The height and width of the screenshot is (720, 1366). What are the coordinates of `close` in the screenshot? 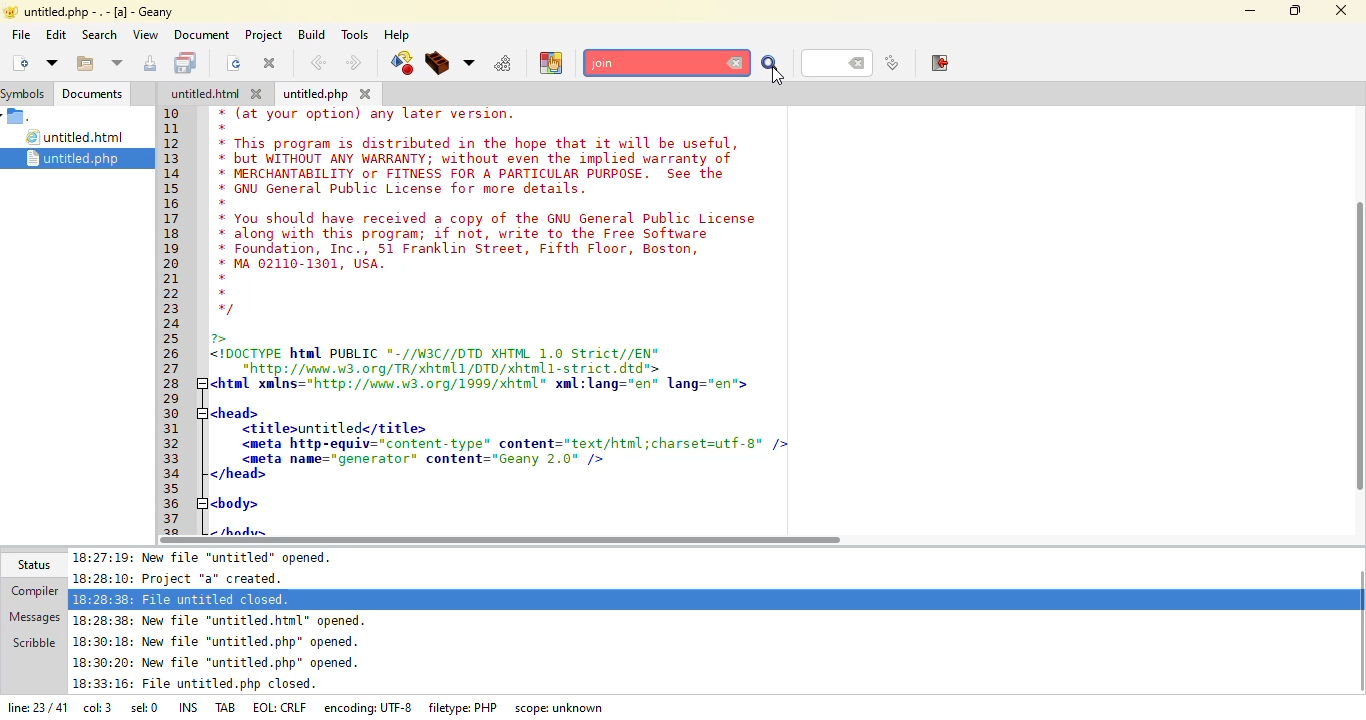 It's located at (270, 62).